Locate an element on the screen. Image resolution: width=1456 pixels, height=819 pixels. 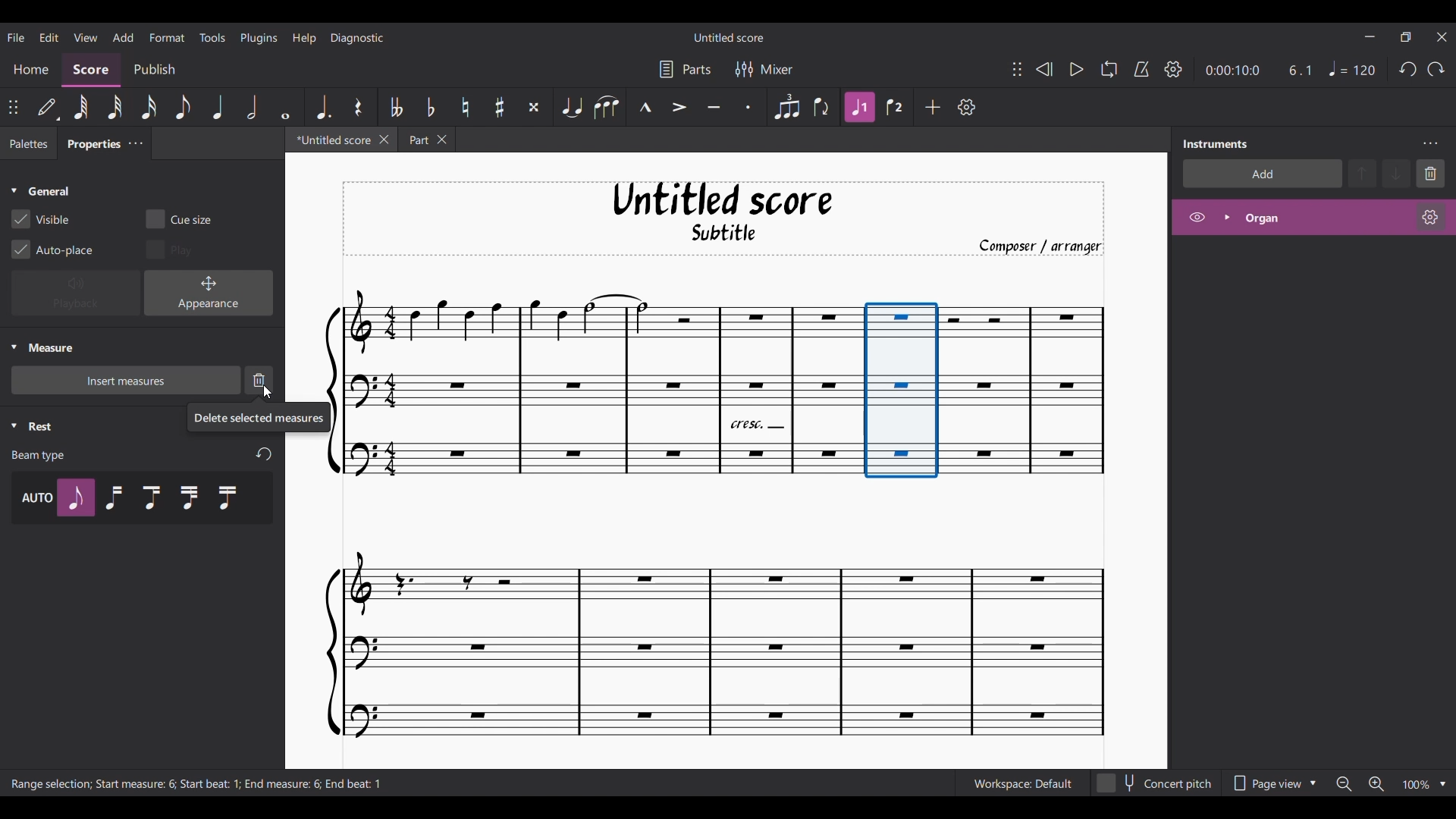
Add menu is located at coordinates (123, 36).